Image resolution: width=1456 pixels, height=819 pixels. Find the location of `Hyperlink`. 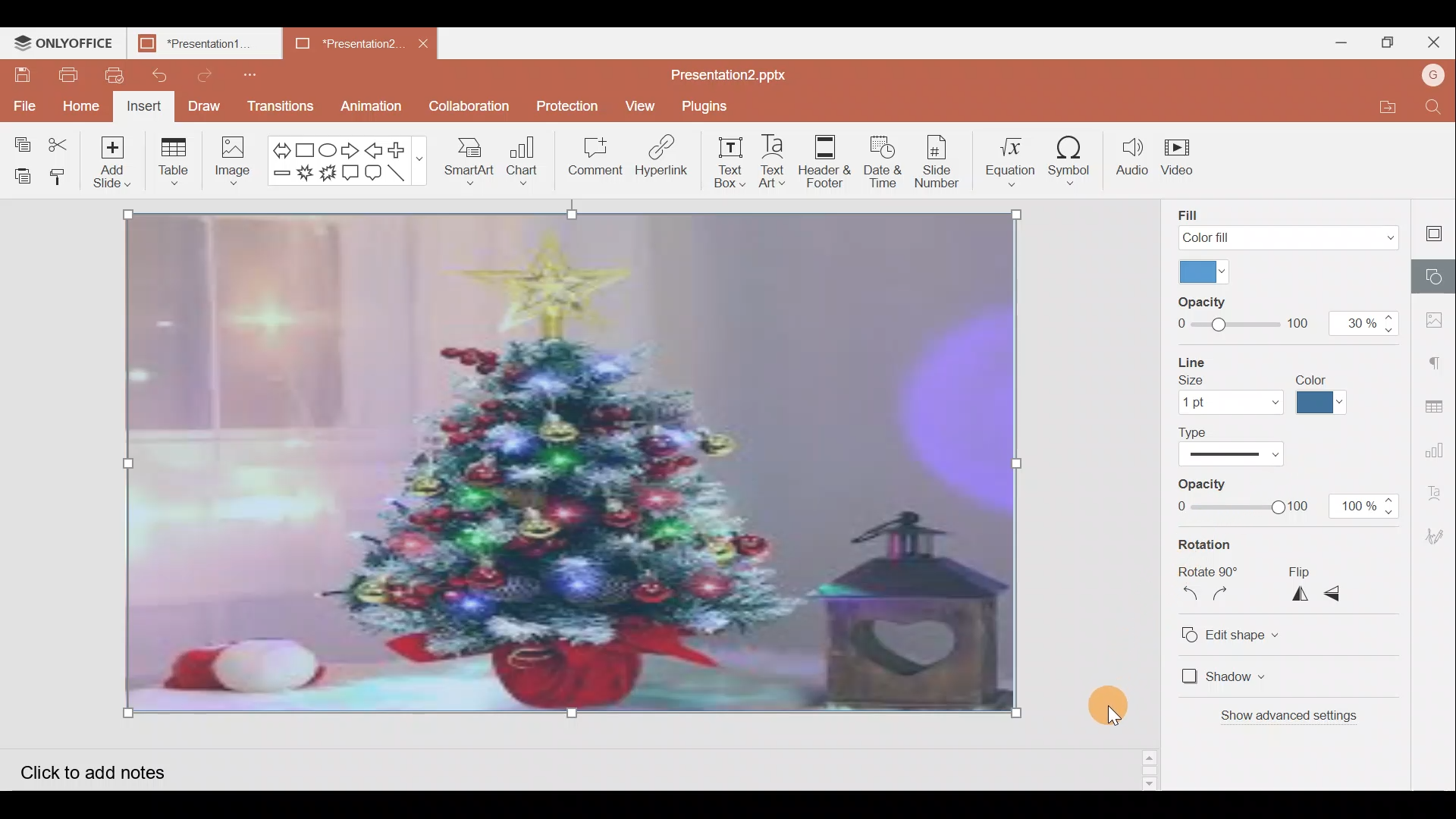

Hyperlink is located at coordinates (657, 158).